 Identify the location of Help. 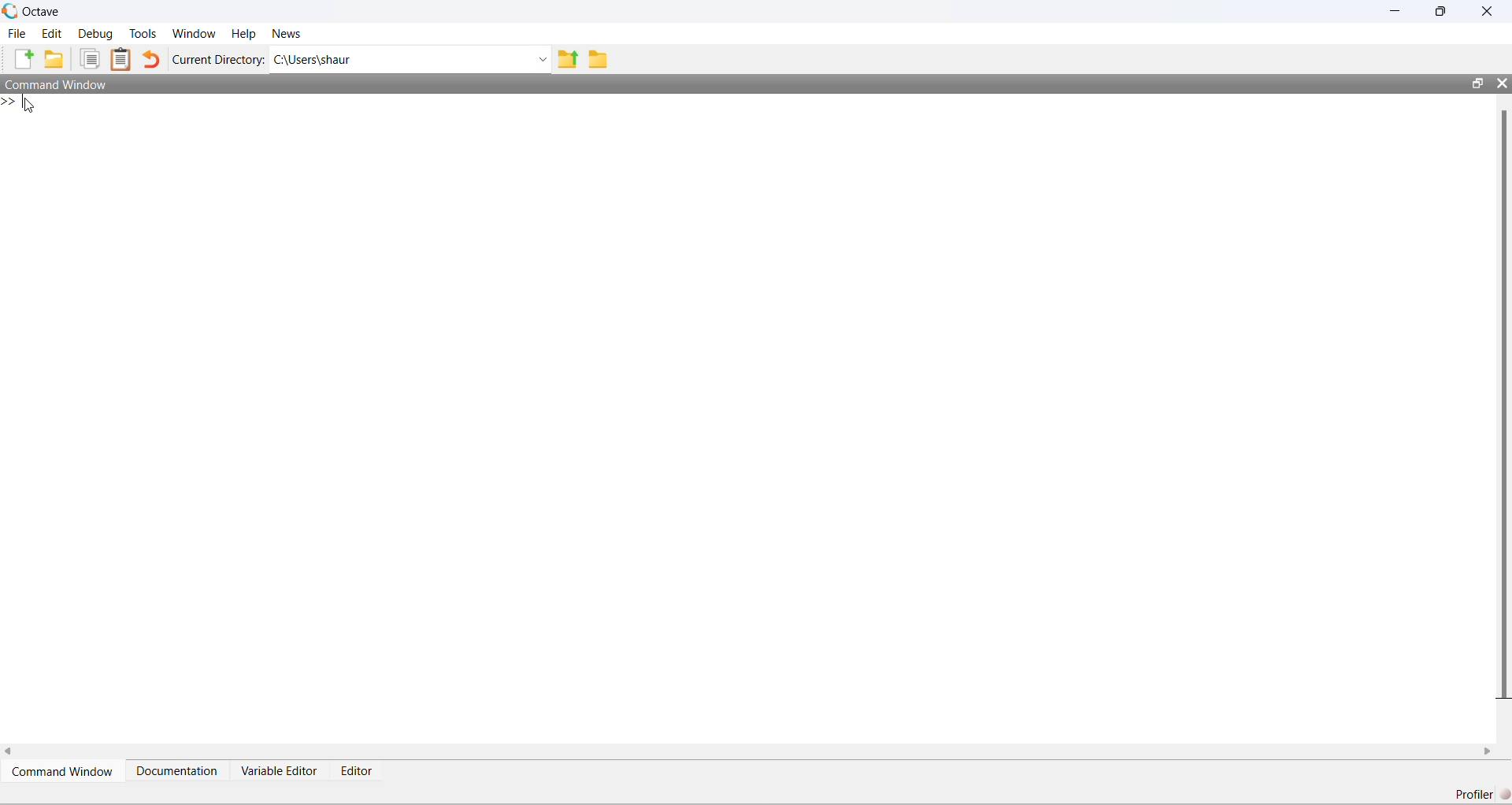
(243, 33).